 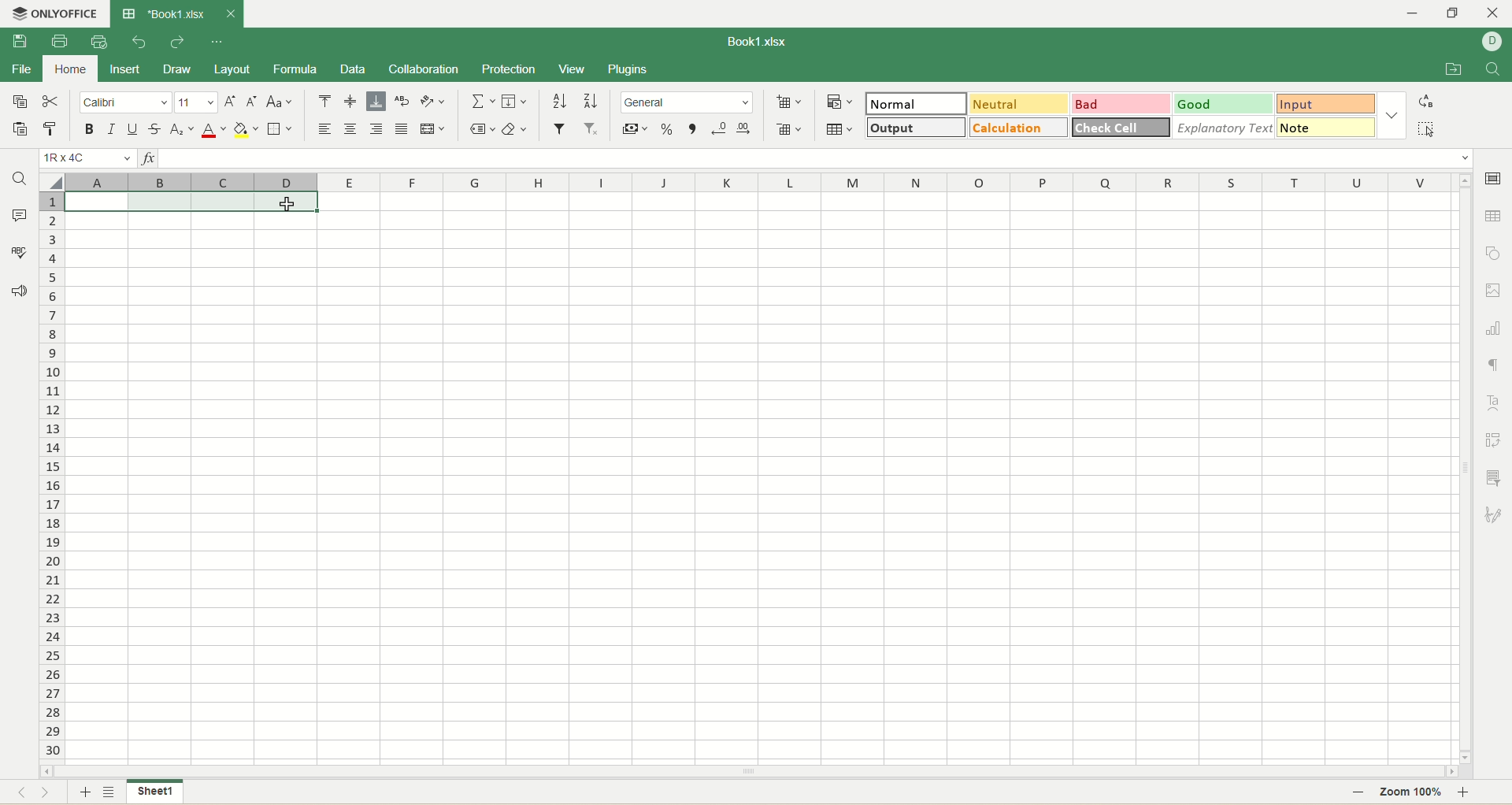 What do you see at coordinates (1424, 129) in the screenshot?
I see `select all` at bounding box center [1424, 129].